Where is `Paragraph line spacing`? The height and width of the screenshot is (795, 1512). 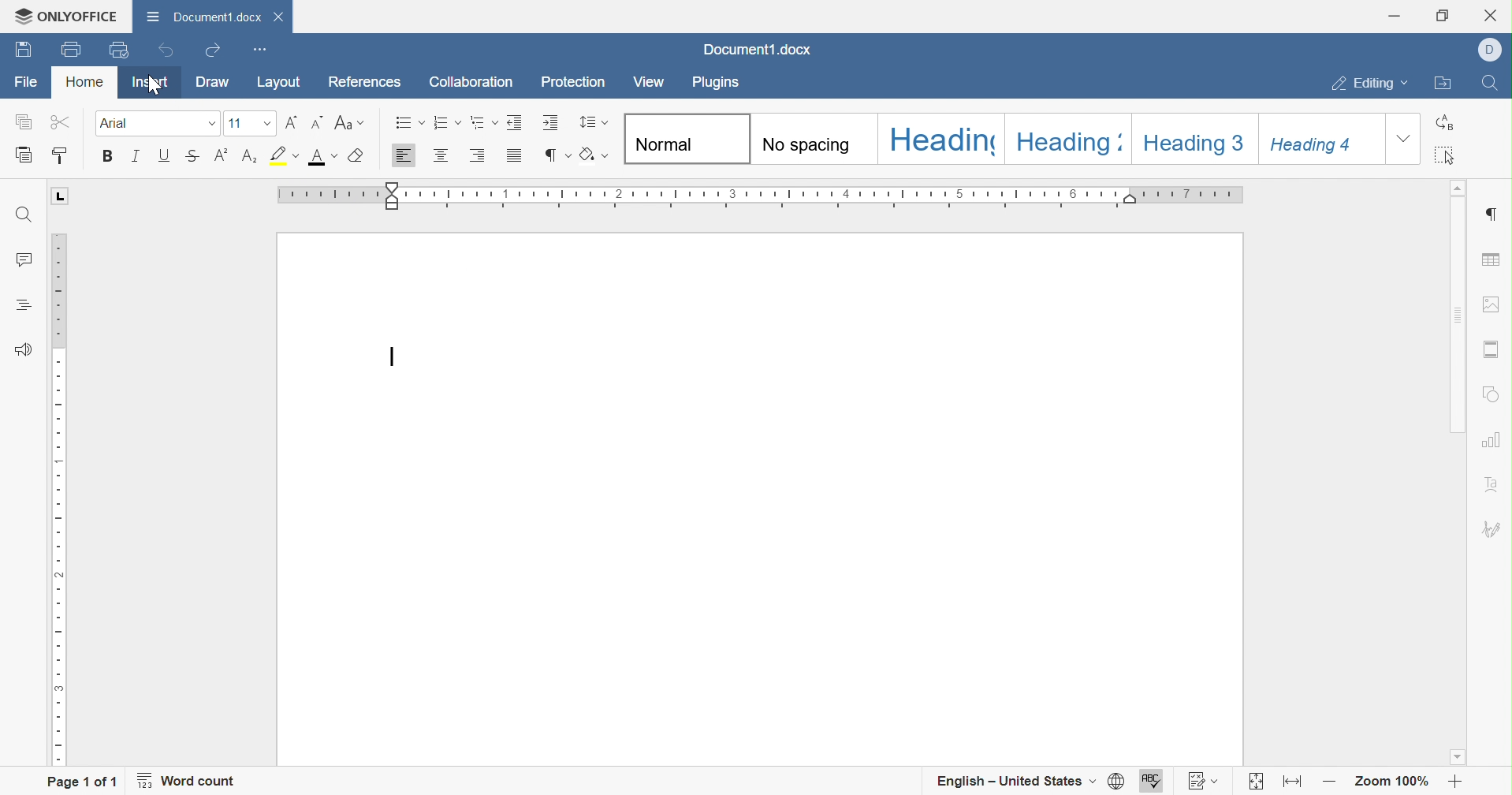
Paragraph line spacing is located at coordinates (596, 121).